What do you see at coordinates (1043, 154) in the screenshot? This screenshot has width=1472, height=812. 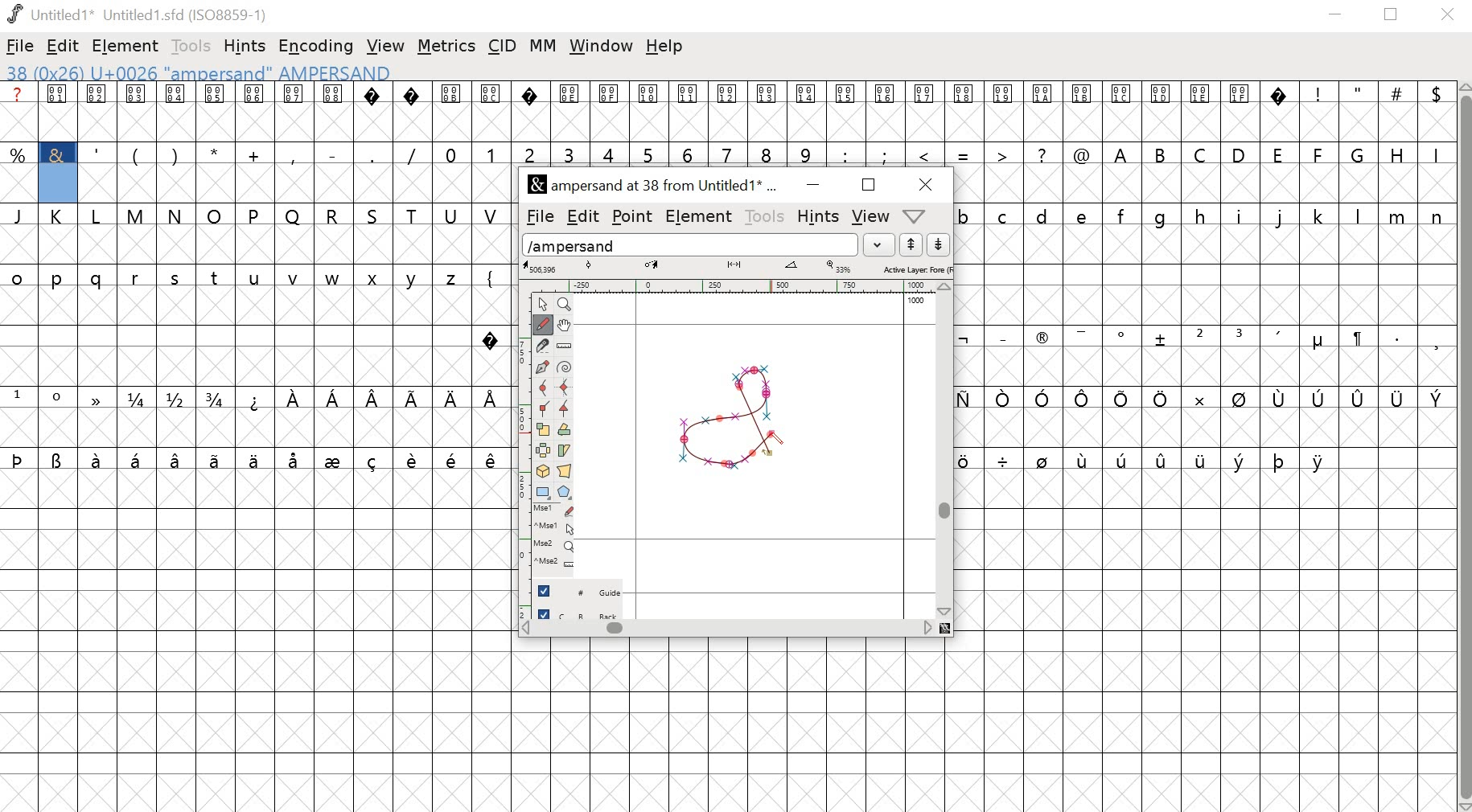 I see `?` at bounding box center [1043, 154].